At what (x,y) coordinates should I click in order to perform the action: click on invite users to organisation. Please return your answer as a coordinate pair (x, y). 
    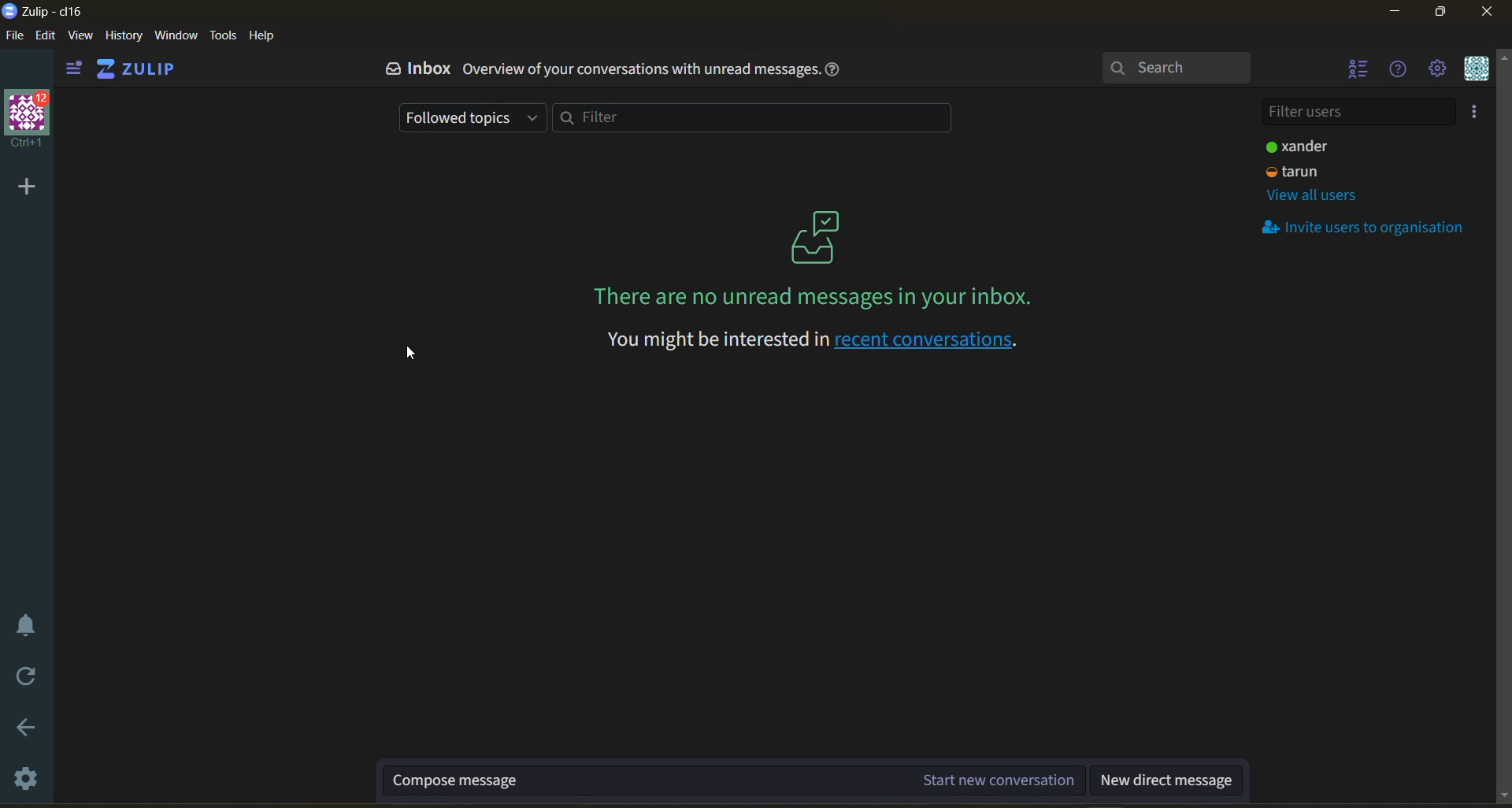
    Looking at the image, I should click on (1477, 112).